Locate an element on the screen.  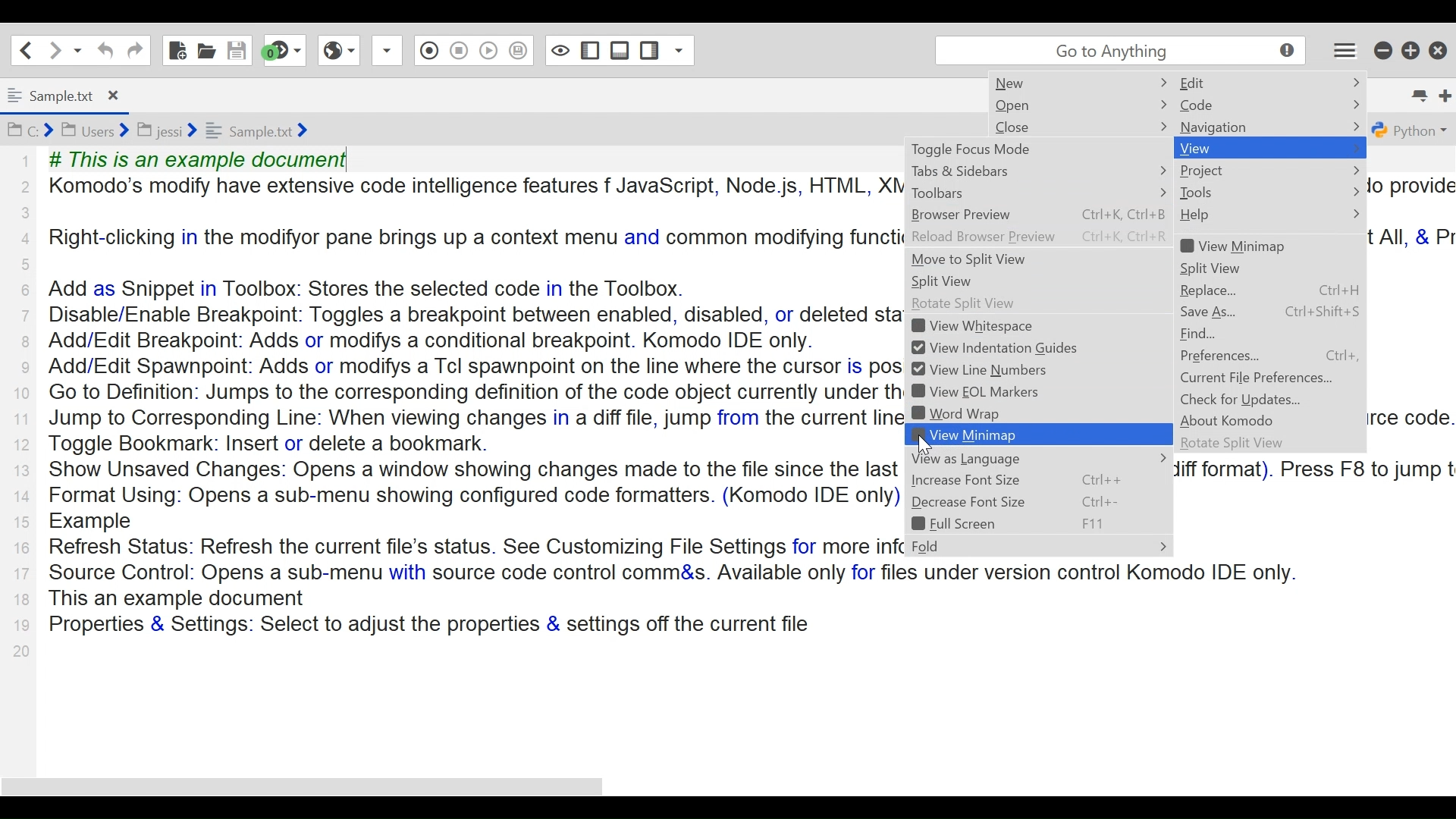
Save is located at coordinates (235, 49).